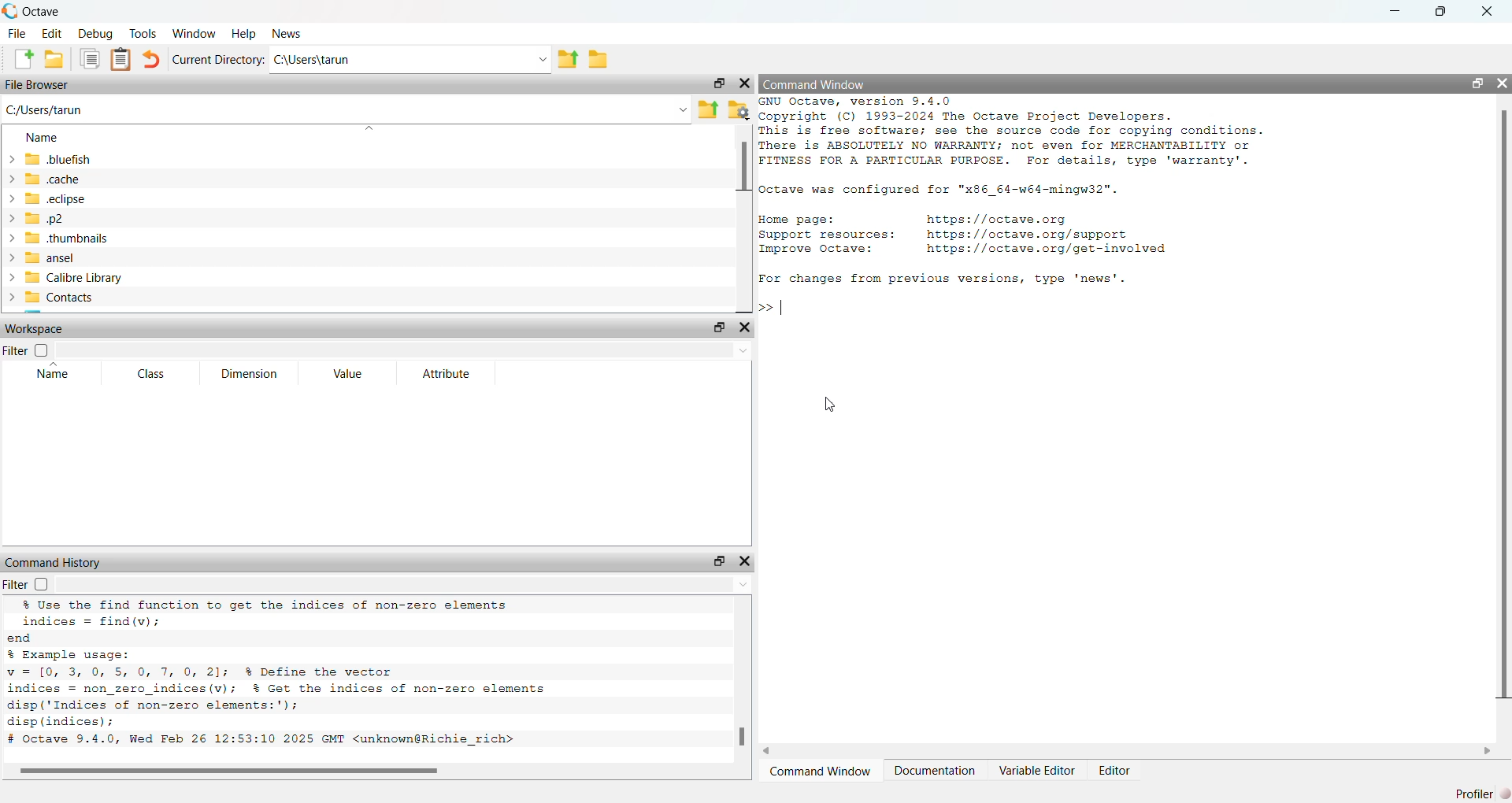 This screenshot has width=1512, height=803. What do you see at coordinates (43, 351) in the screenshot?
I see `checkbox` at bounding box center [43, 351].